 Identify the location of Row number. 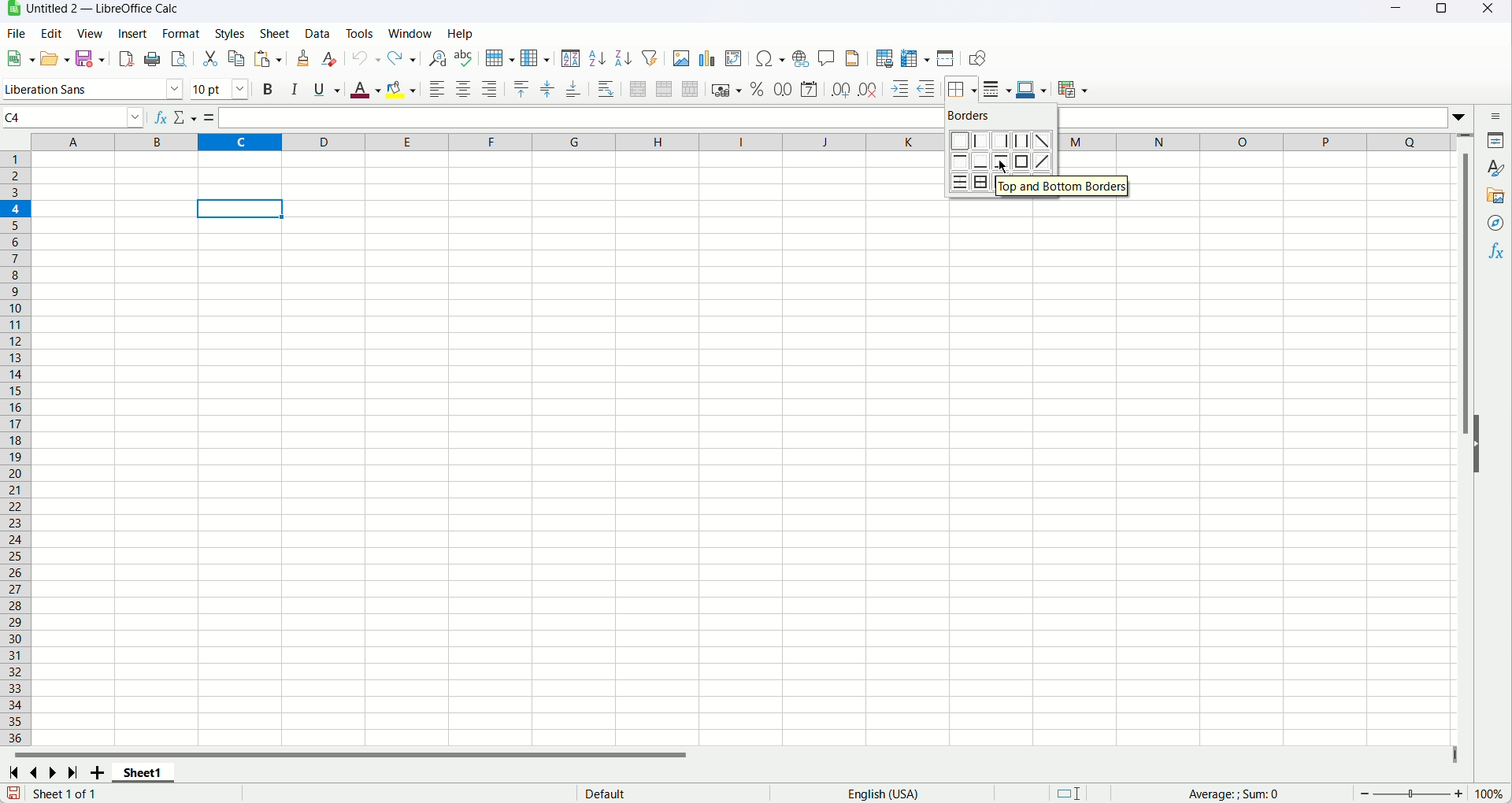
(16, 447).